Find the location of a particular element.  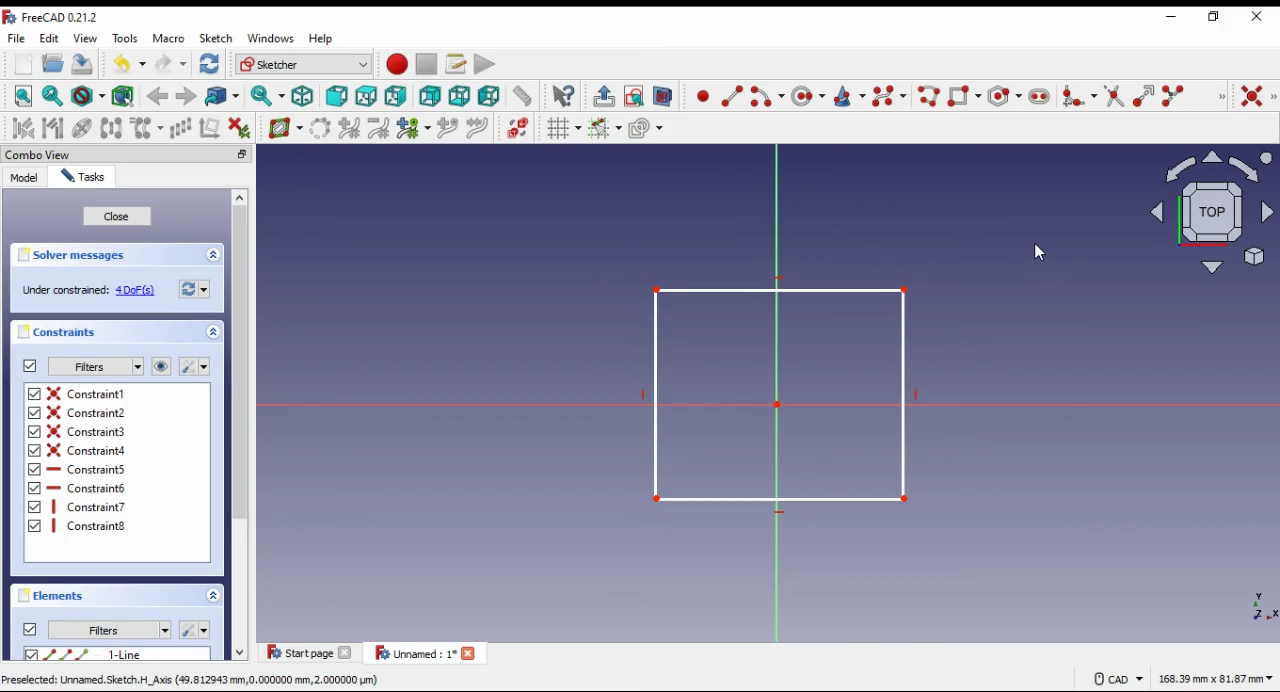

join curves is located at coordinates (477, 128).